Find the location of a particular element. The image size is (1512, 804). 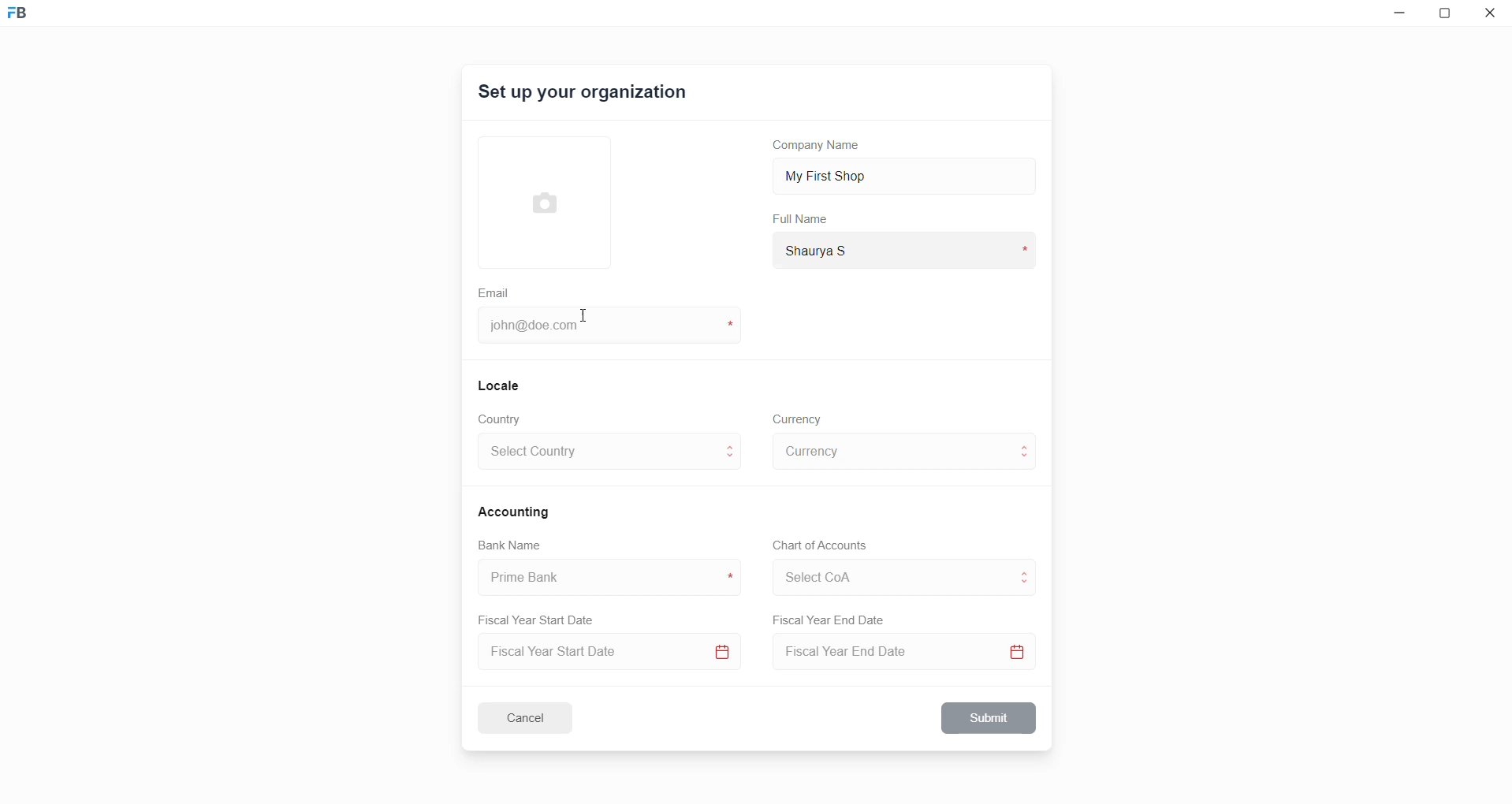

Accounting is located at coordinates (516, 511).